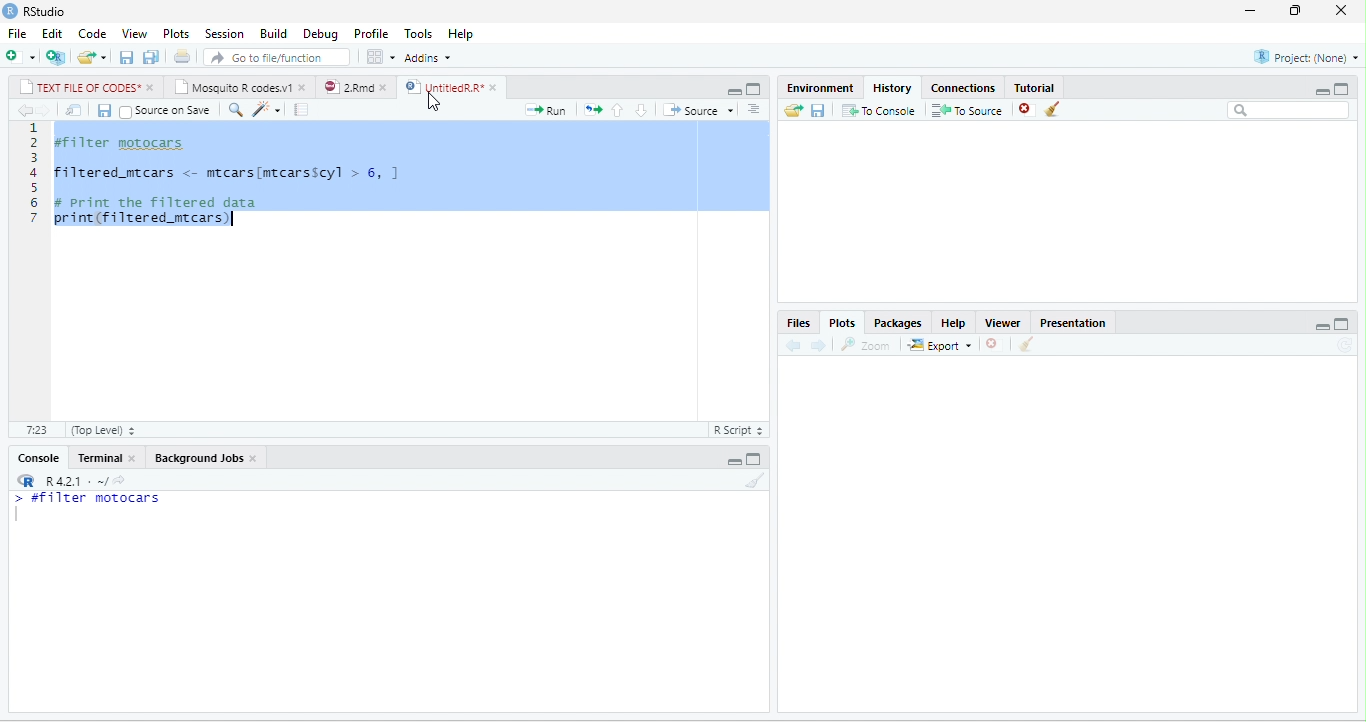  Describe the element at coordinates (618, 111) in the screenshot. I see `up` at that location.